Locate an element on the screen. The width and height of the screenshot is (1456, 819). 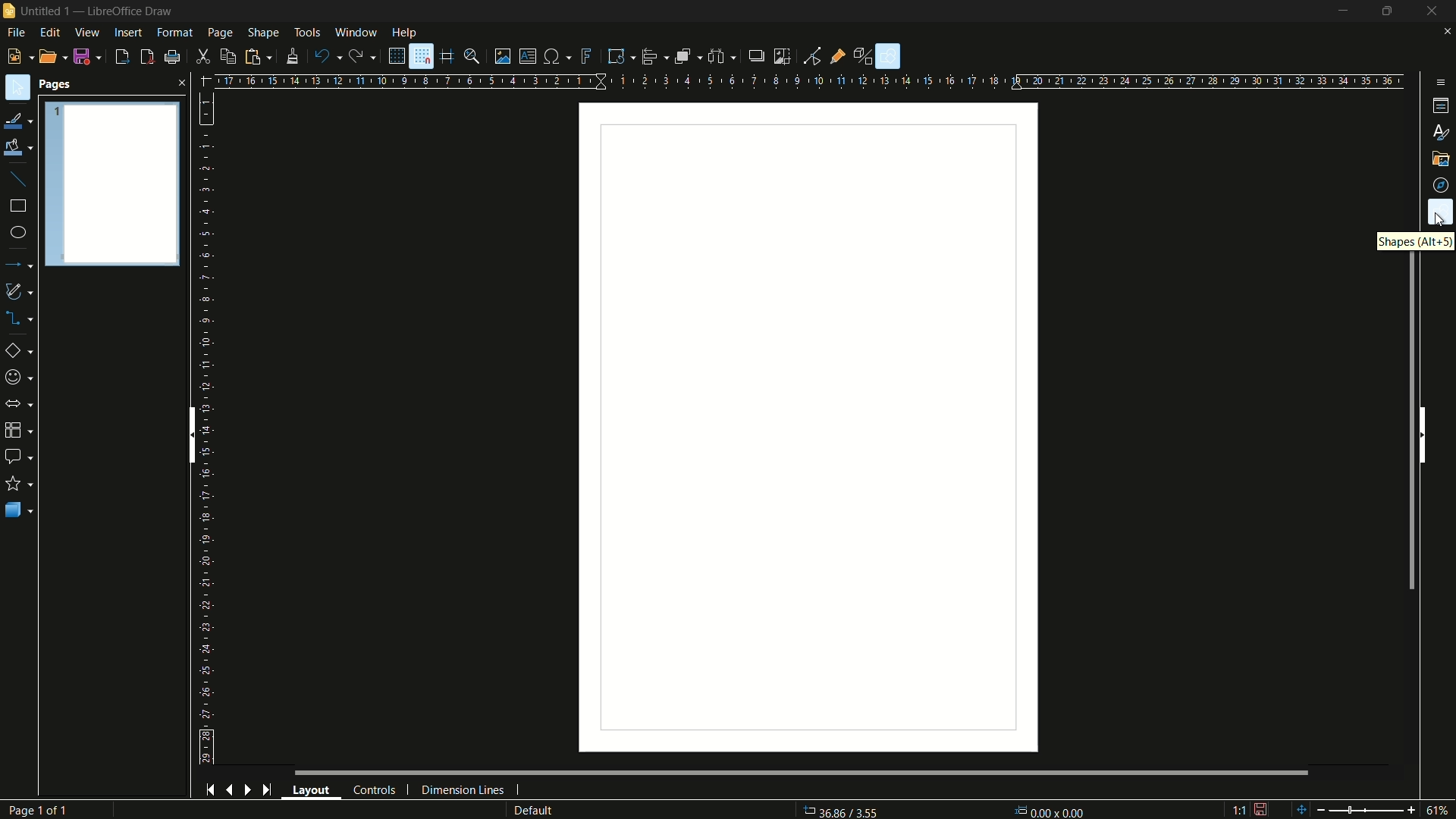
0.00 is located at coordinates (1052, 808).